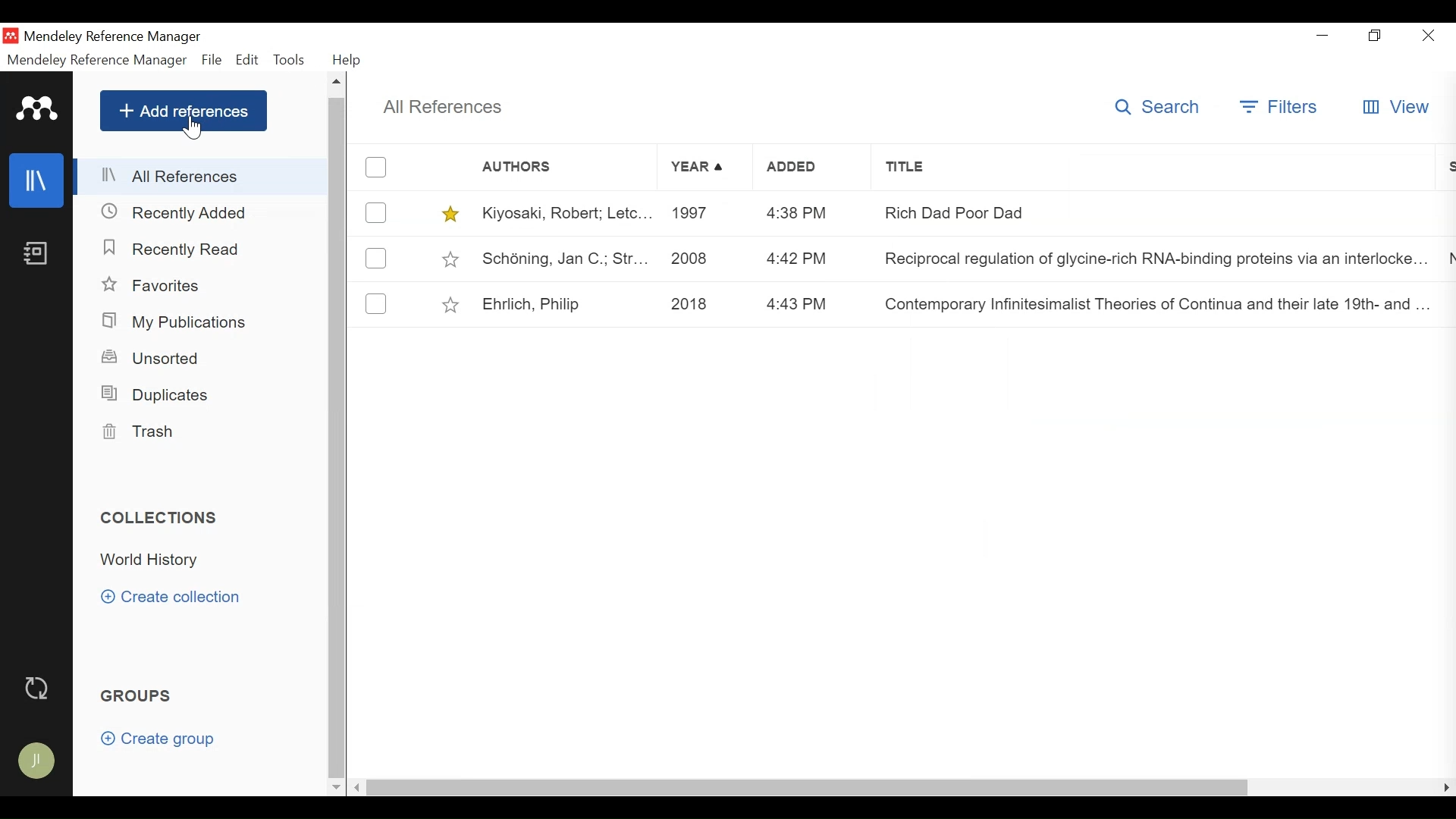 This screenshot has height=819, width=1456. I want to click on 1997, so click(703, 213).